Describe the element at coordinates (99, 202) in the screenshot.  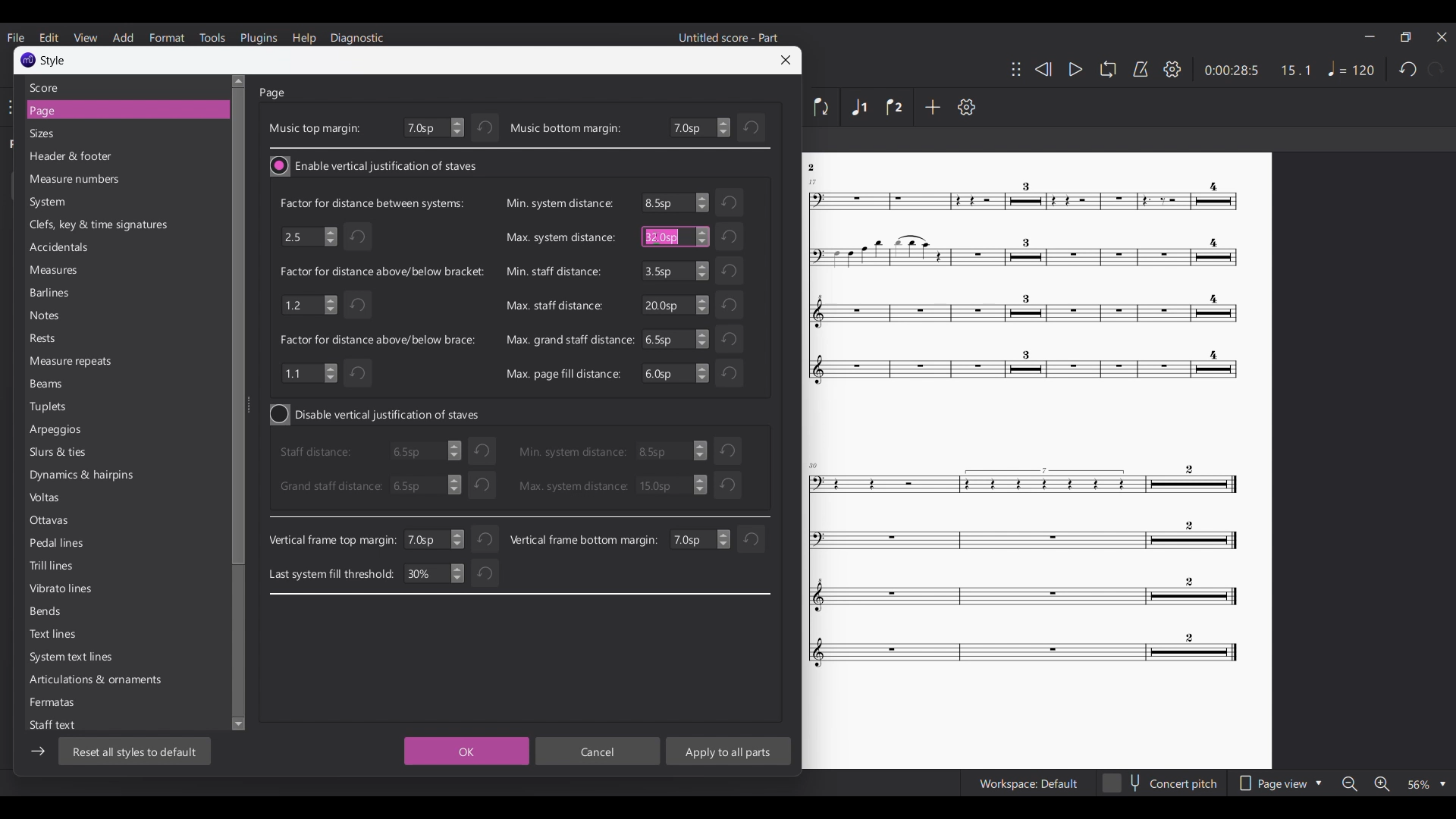
I see `System` at that location.